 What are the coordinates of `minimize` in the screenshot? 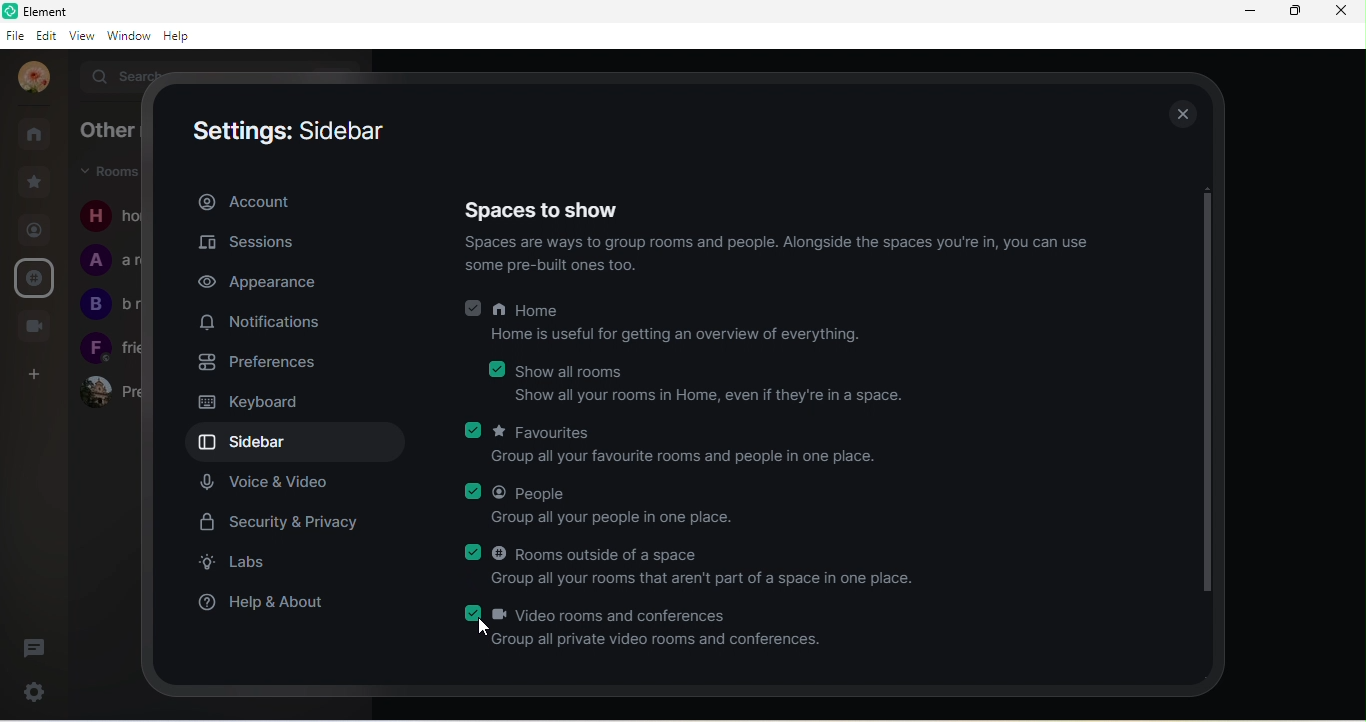 It's located at (1249, 15).